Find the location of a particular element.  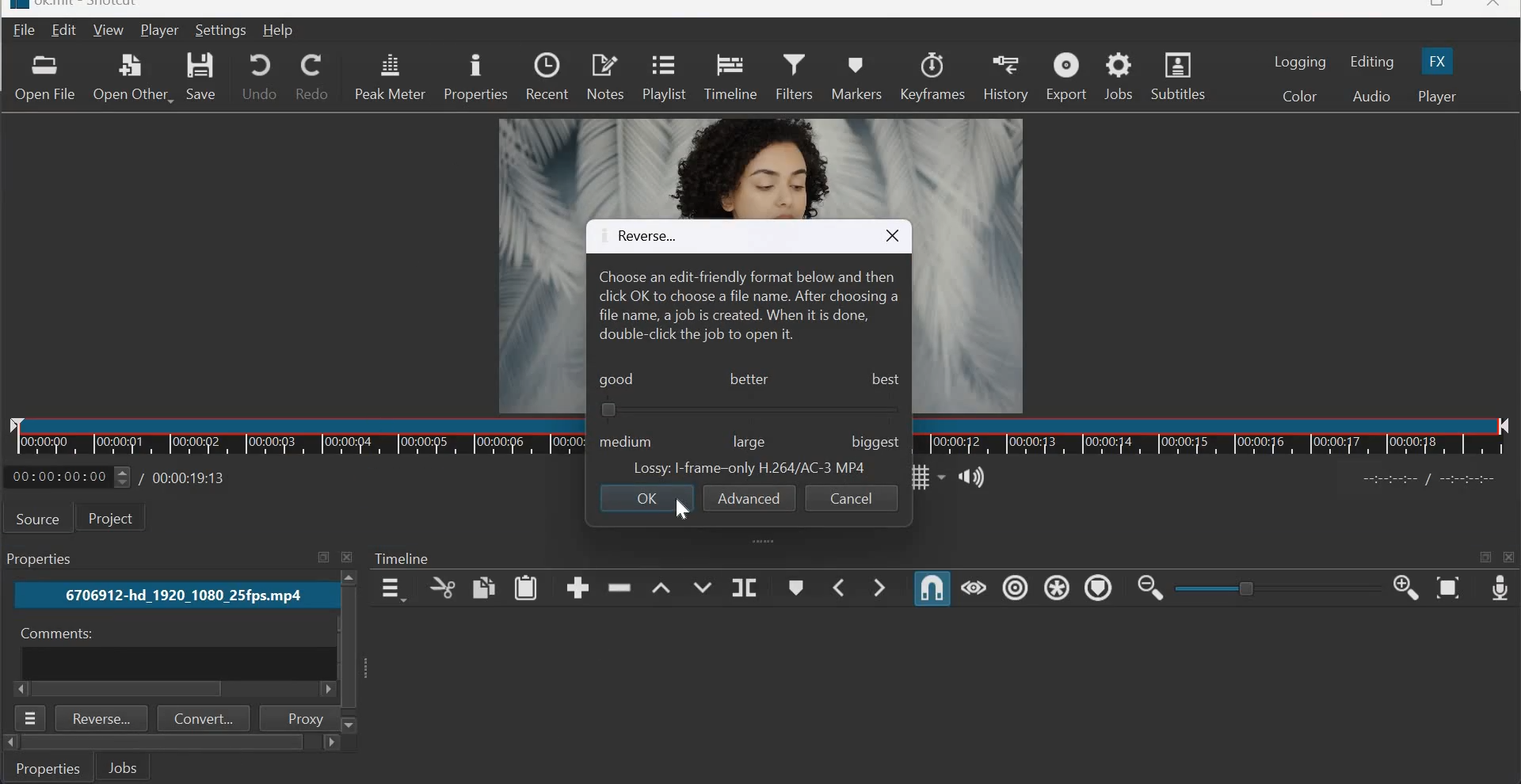

Record Audio is located at coordinates (1499, 590).